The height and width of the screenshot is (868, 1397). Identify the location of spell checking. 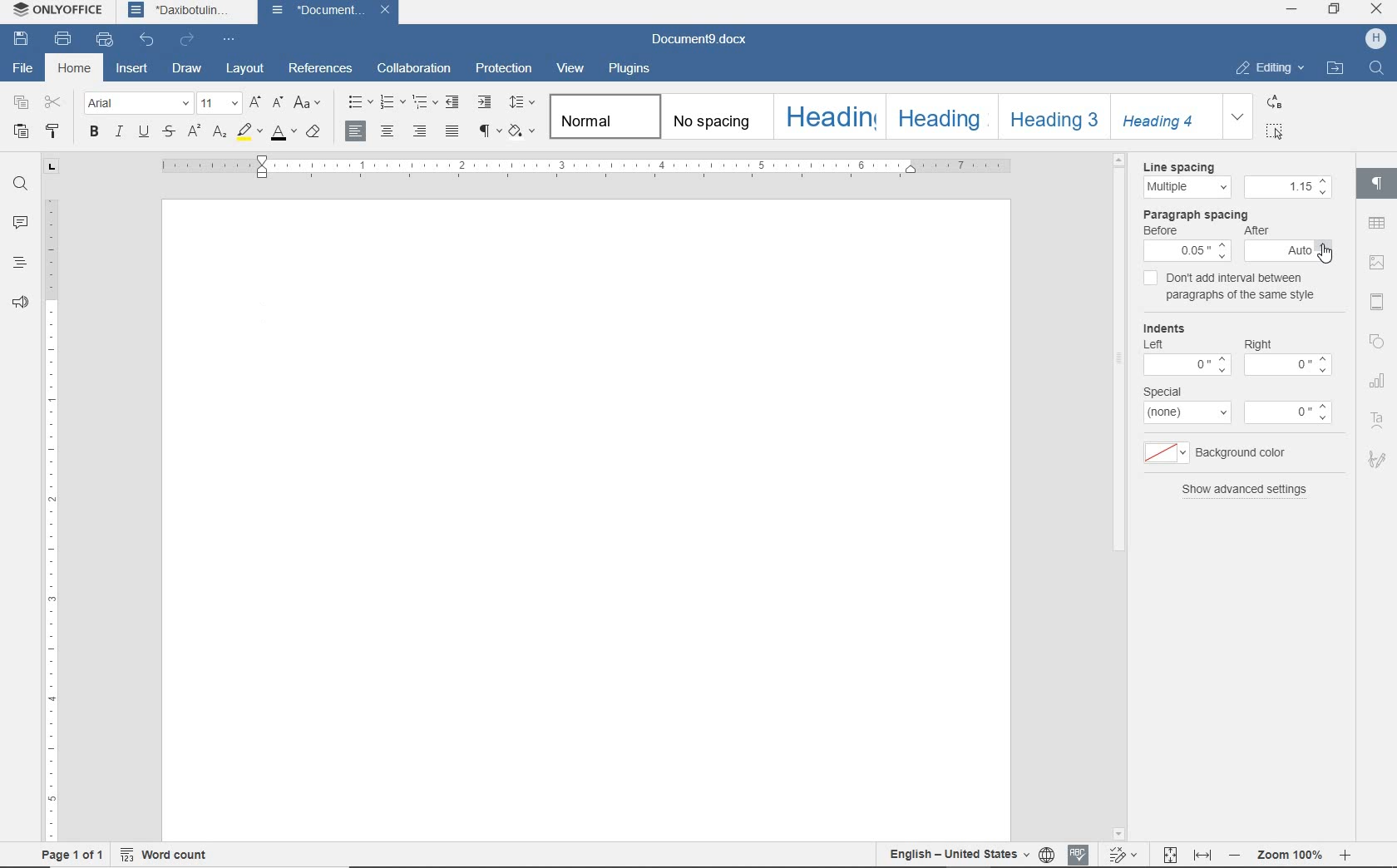
(1078, 854).